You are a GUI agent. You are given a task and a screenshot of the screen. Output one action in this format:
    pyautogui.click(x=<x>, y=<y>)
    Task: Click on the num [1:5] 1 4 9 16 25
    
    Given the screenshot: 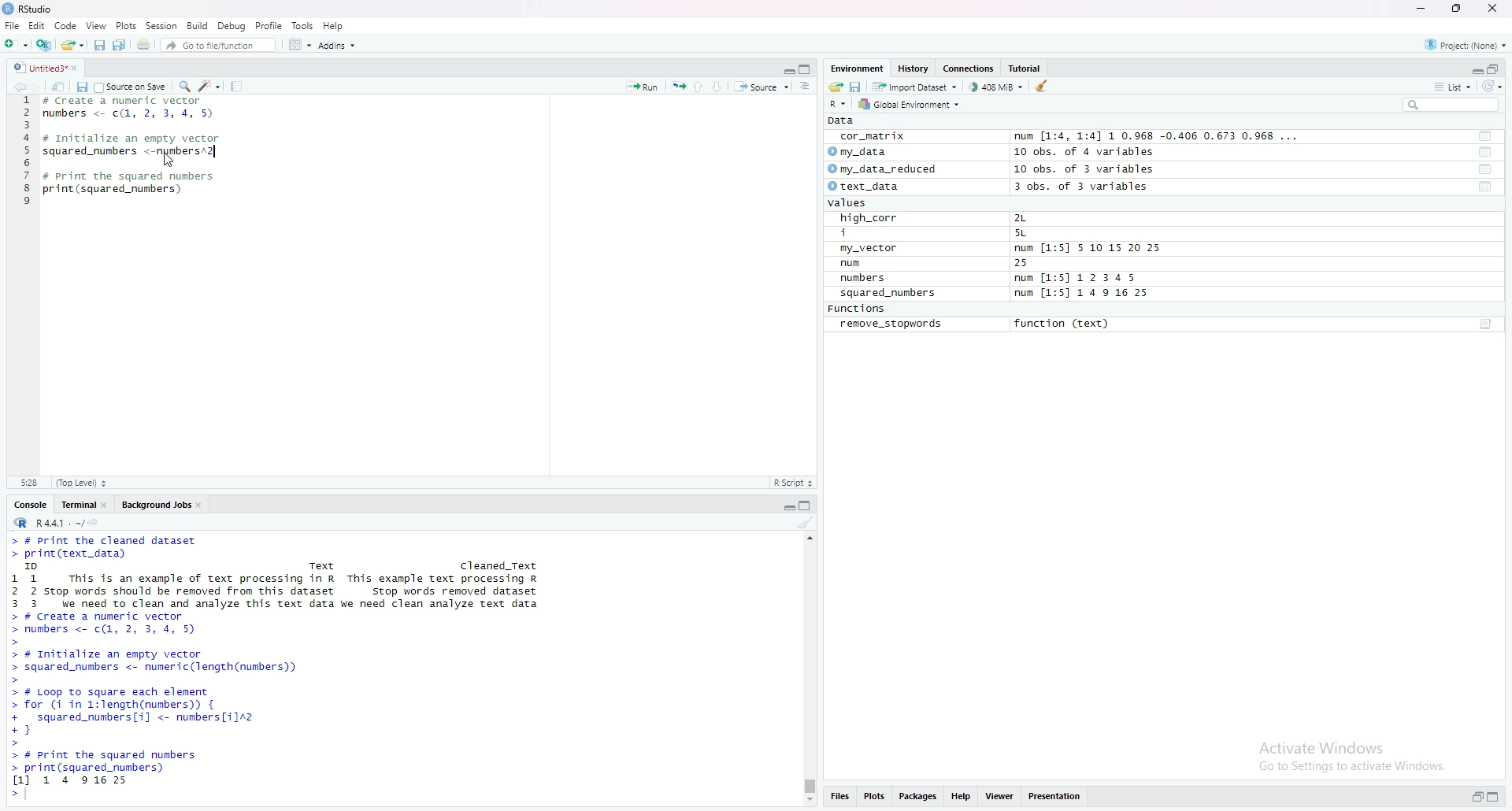 What is the action you would take?
    pyautogui.click(x=1083, y=294)
    